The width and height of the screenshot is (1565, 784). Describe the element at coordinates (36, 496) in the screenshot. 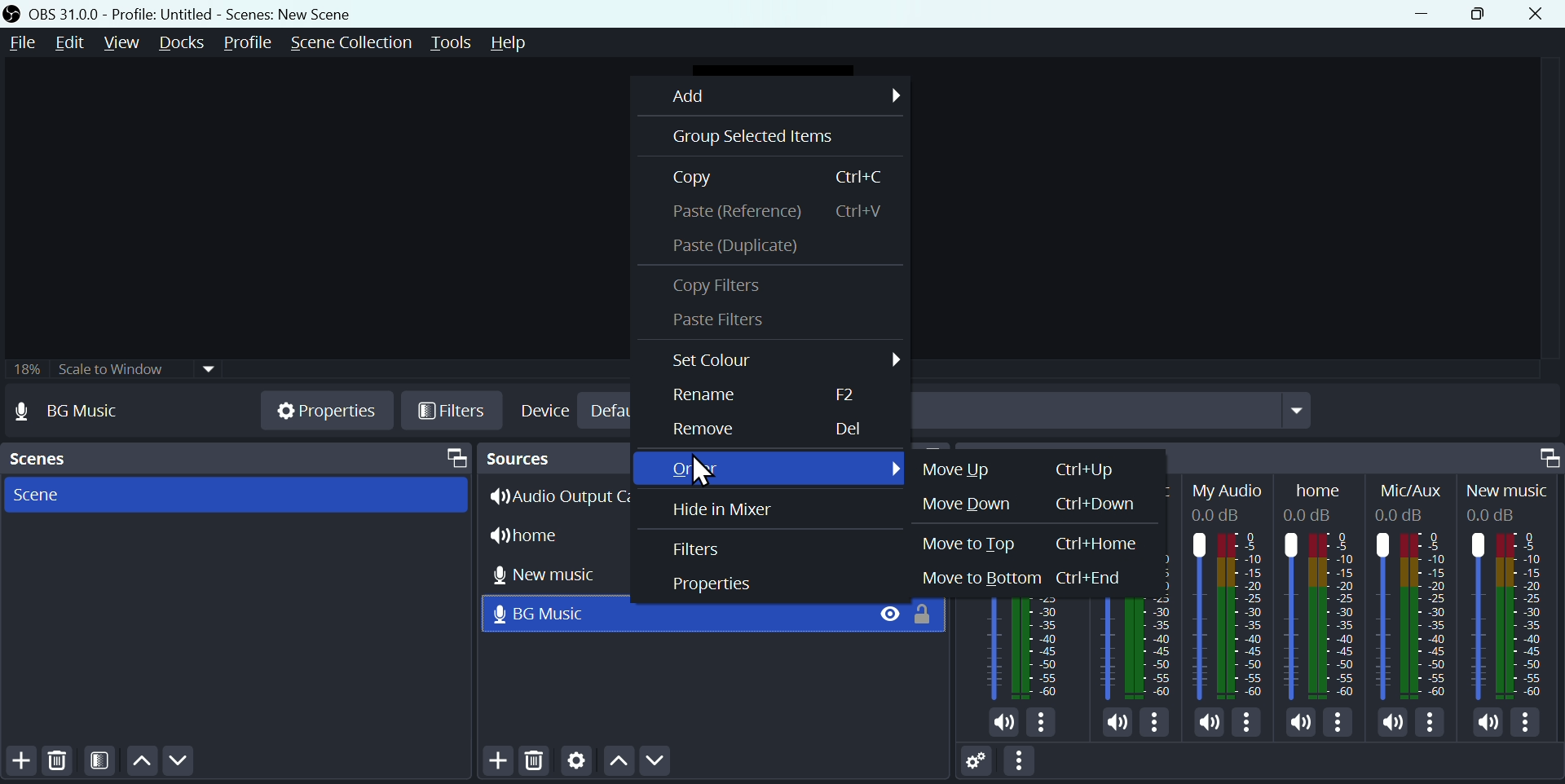

I see `Scene` at that location.